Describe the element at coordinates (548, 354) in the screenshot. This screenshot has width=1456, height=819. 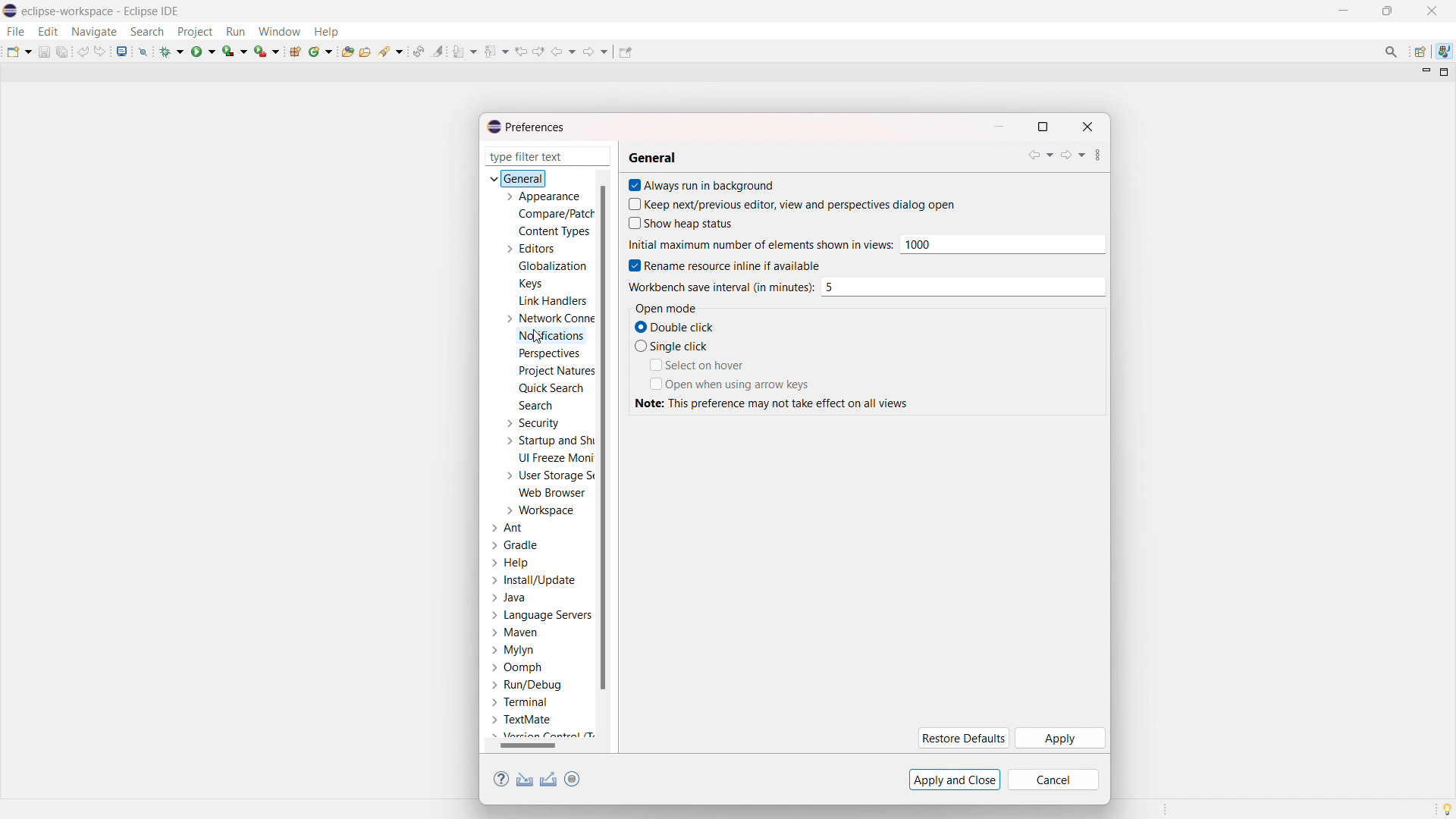
I see `perspectives` at that location.